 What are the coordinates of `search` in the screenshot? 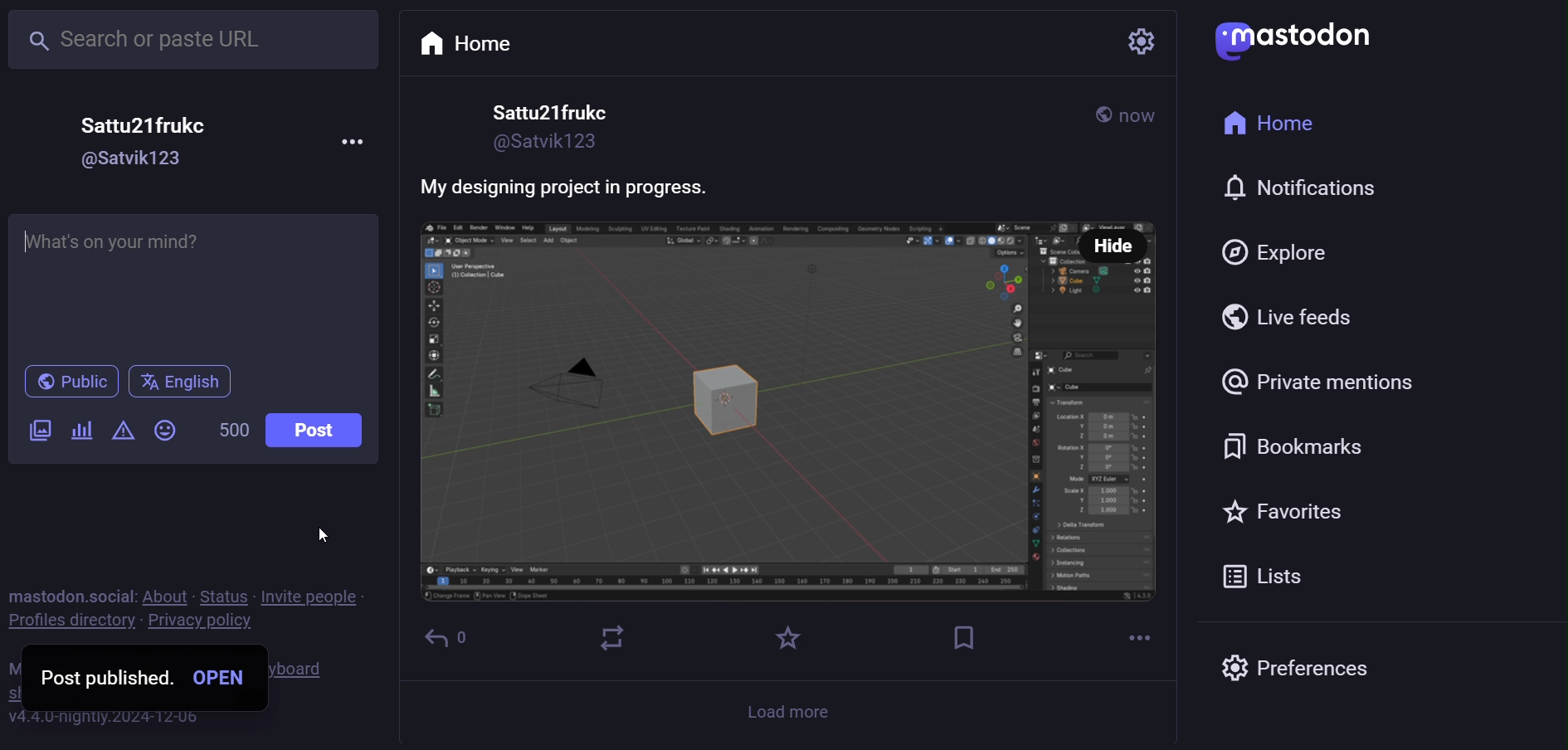 It's located at (196, 41).